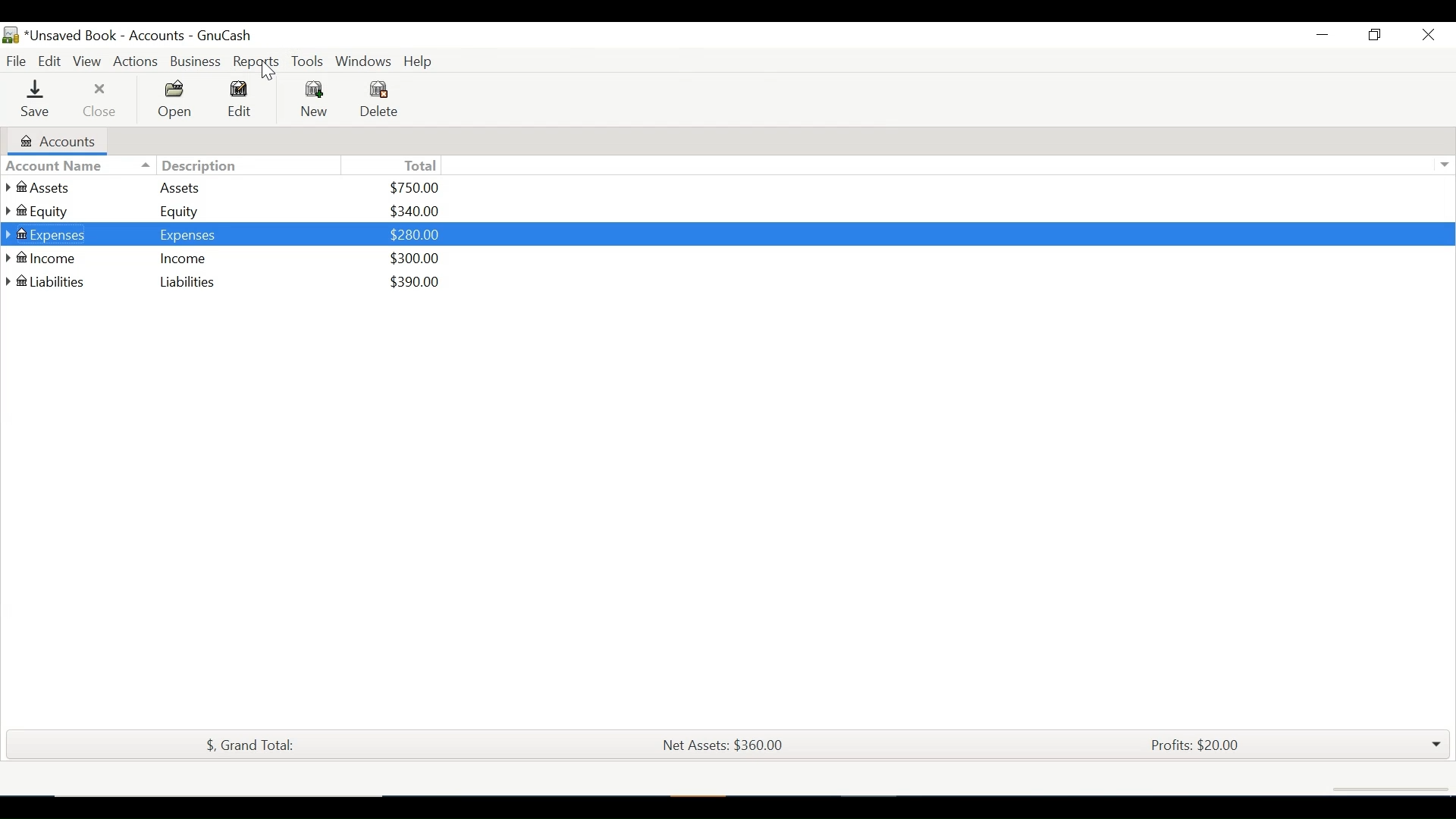 The image size is (1456, 819). What do you see at coordinates (231, 256) in the screenshot?
I see `@ Income Income $300.00` at bounding box center [231, 256].